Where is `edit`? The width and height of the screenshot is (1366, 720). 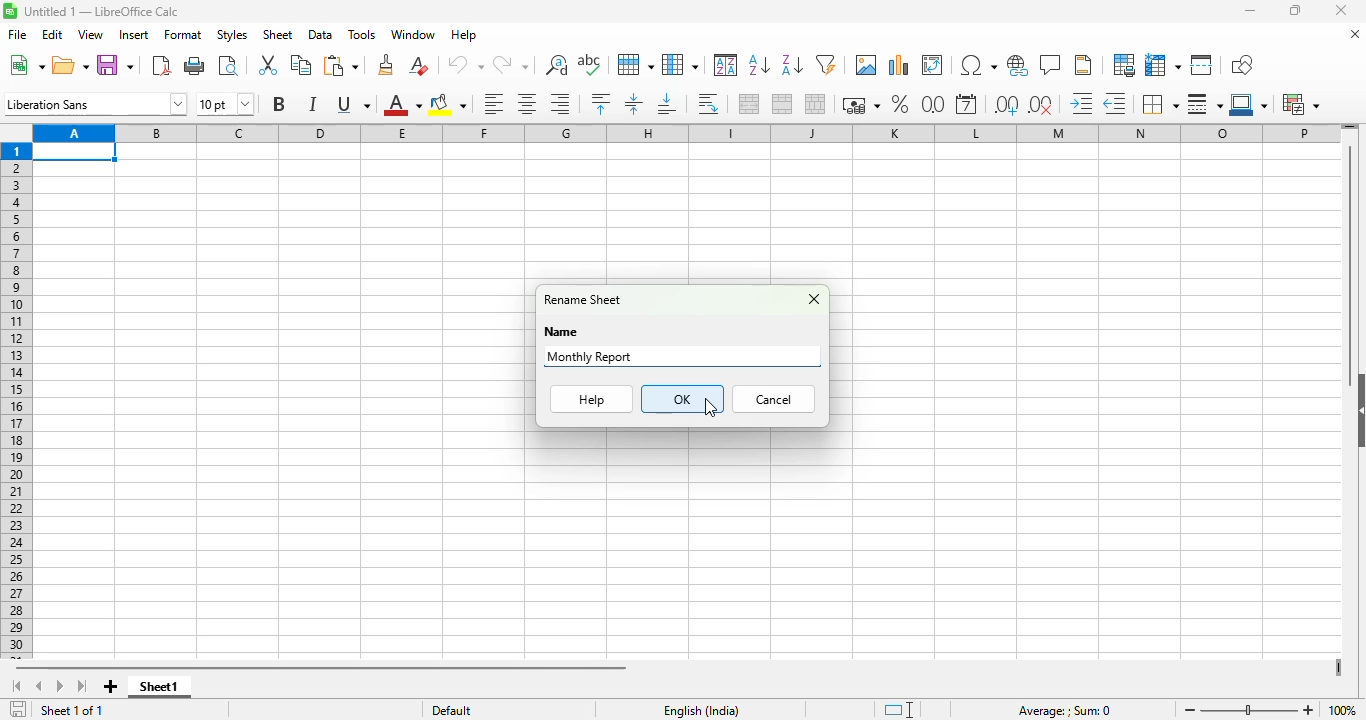
edit is located at coordinates (53, 34).